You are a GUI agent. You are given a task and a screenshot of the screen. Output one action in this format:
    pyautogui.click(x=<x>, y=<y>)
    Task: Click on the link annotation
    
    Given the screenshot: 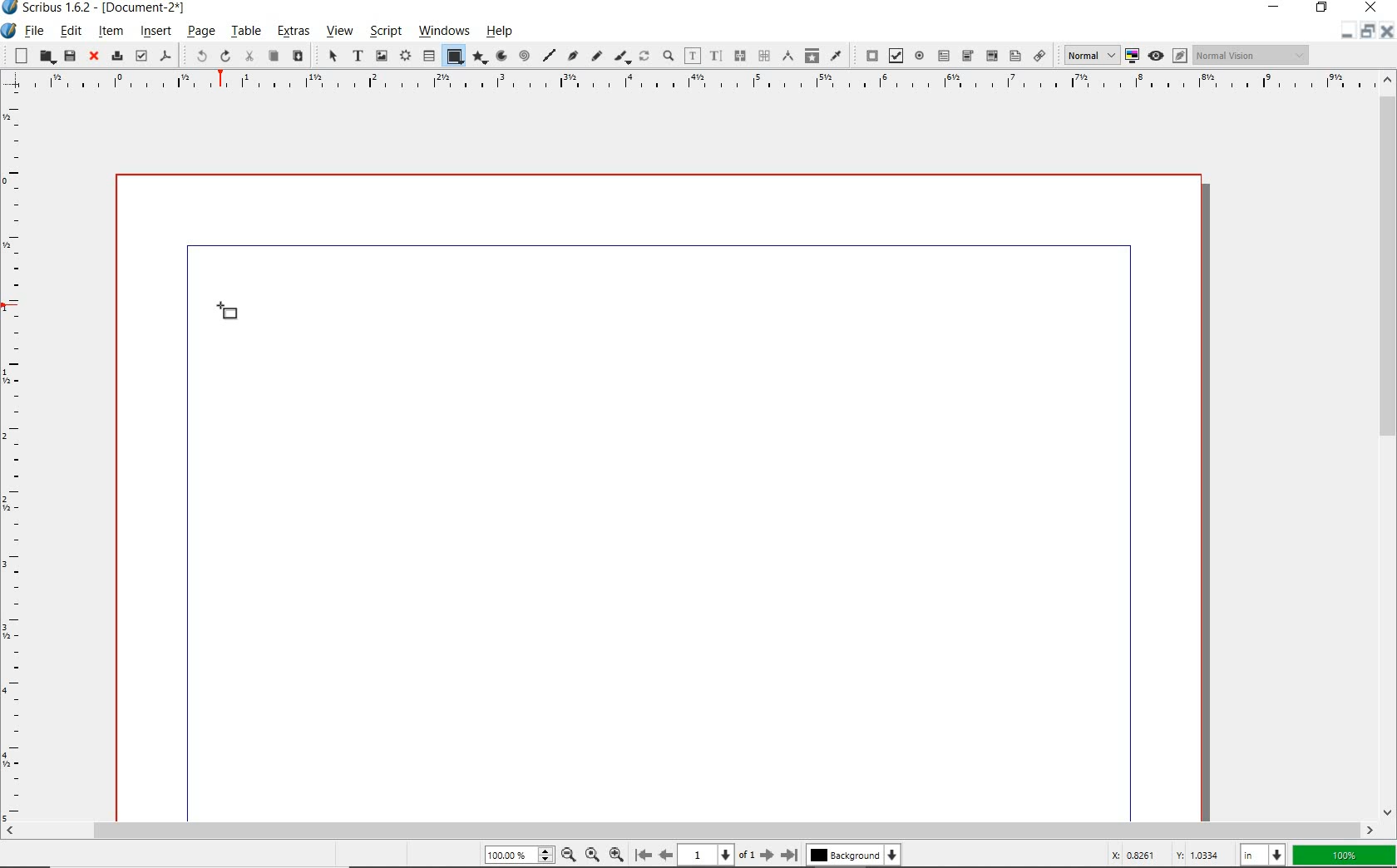 What is the action you would take?
    pyautogui.click(x=1039, y=55)
    